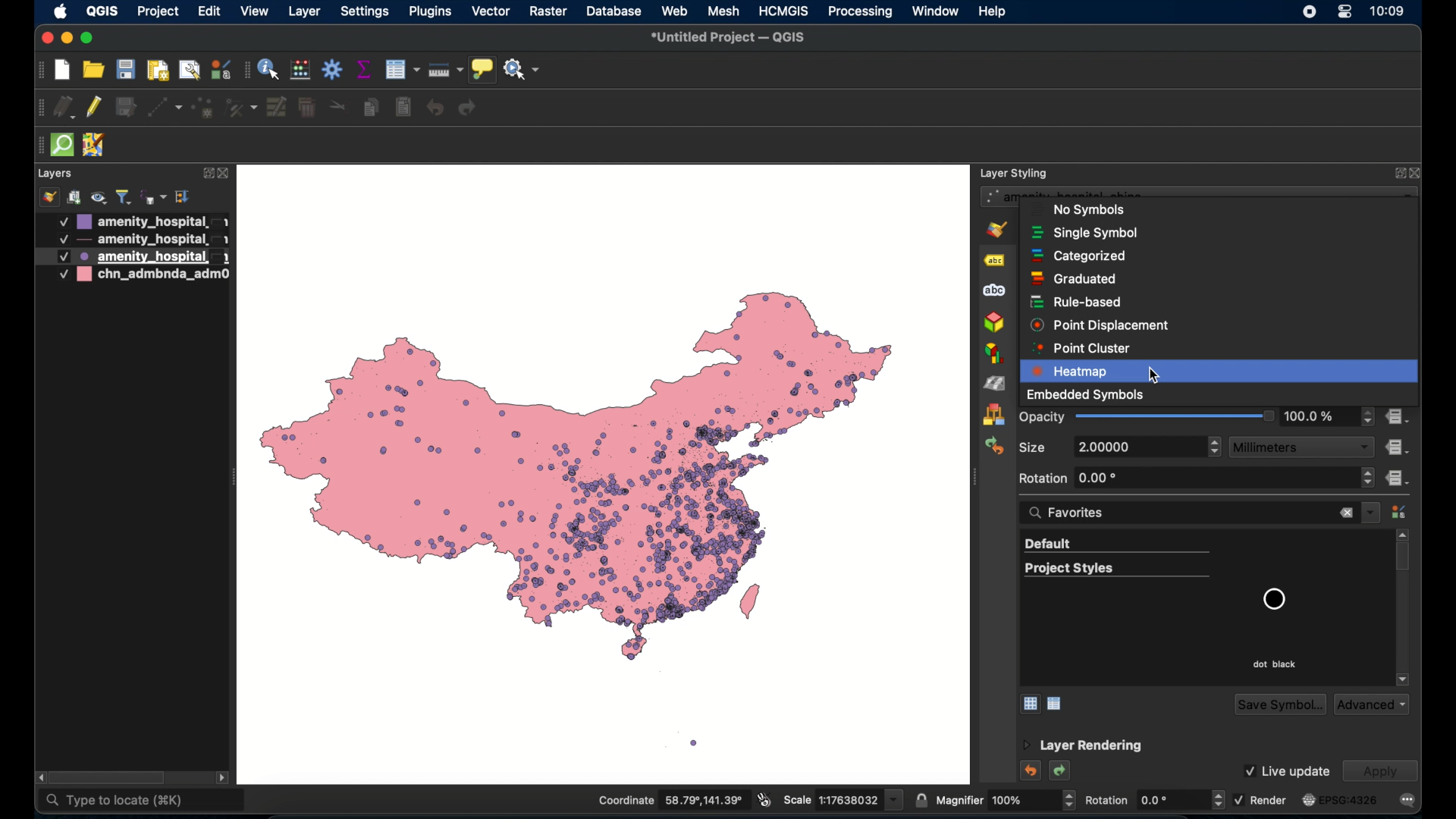 The width and height of the screenshot is (1456, 819). I want to click on add point feature, so click(205, 108).